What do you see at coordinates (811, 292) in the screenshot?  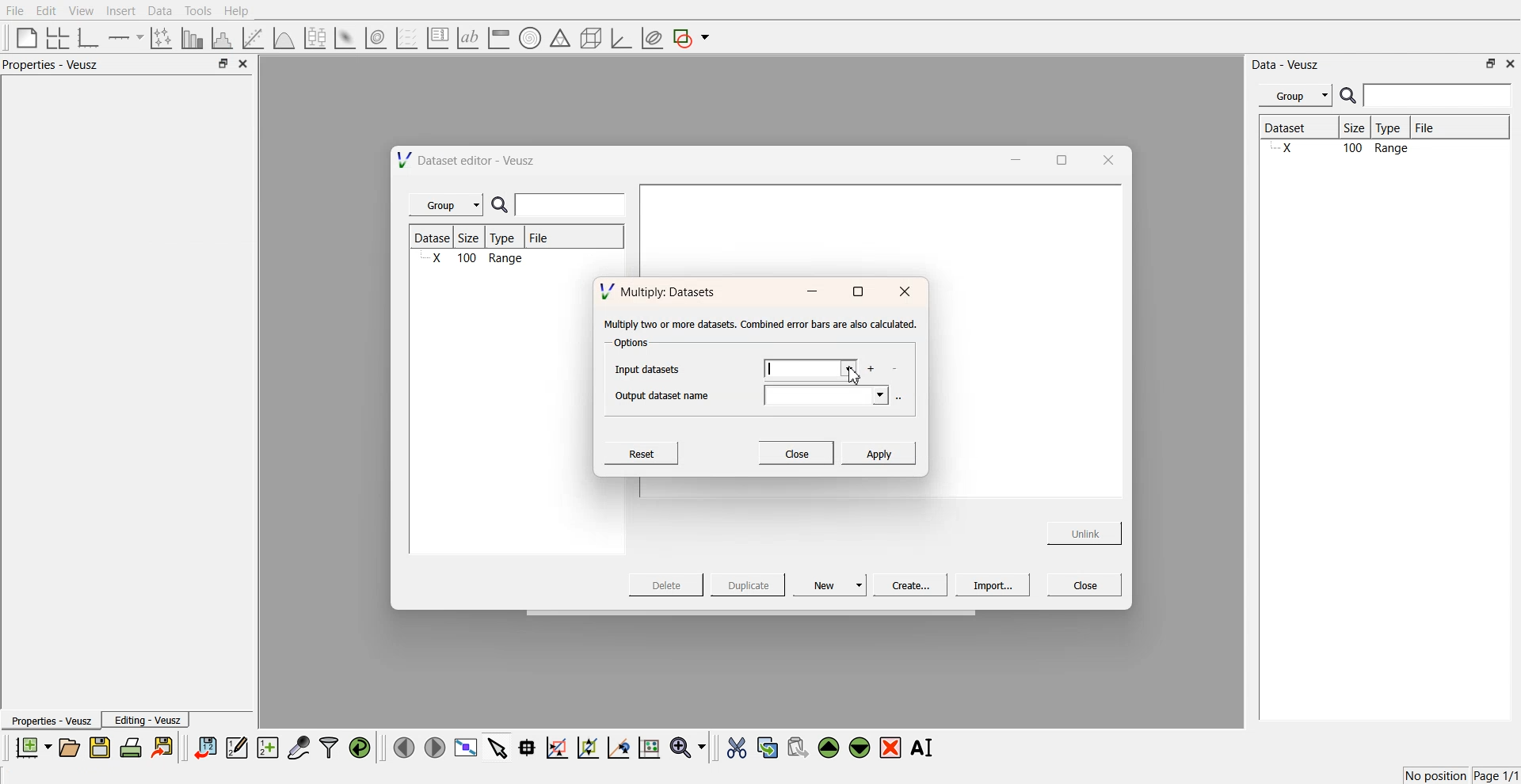 I see `minimise` at bounding box center [811, 292].